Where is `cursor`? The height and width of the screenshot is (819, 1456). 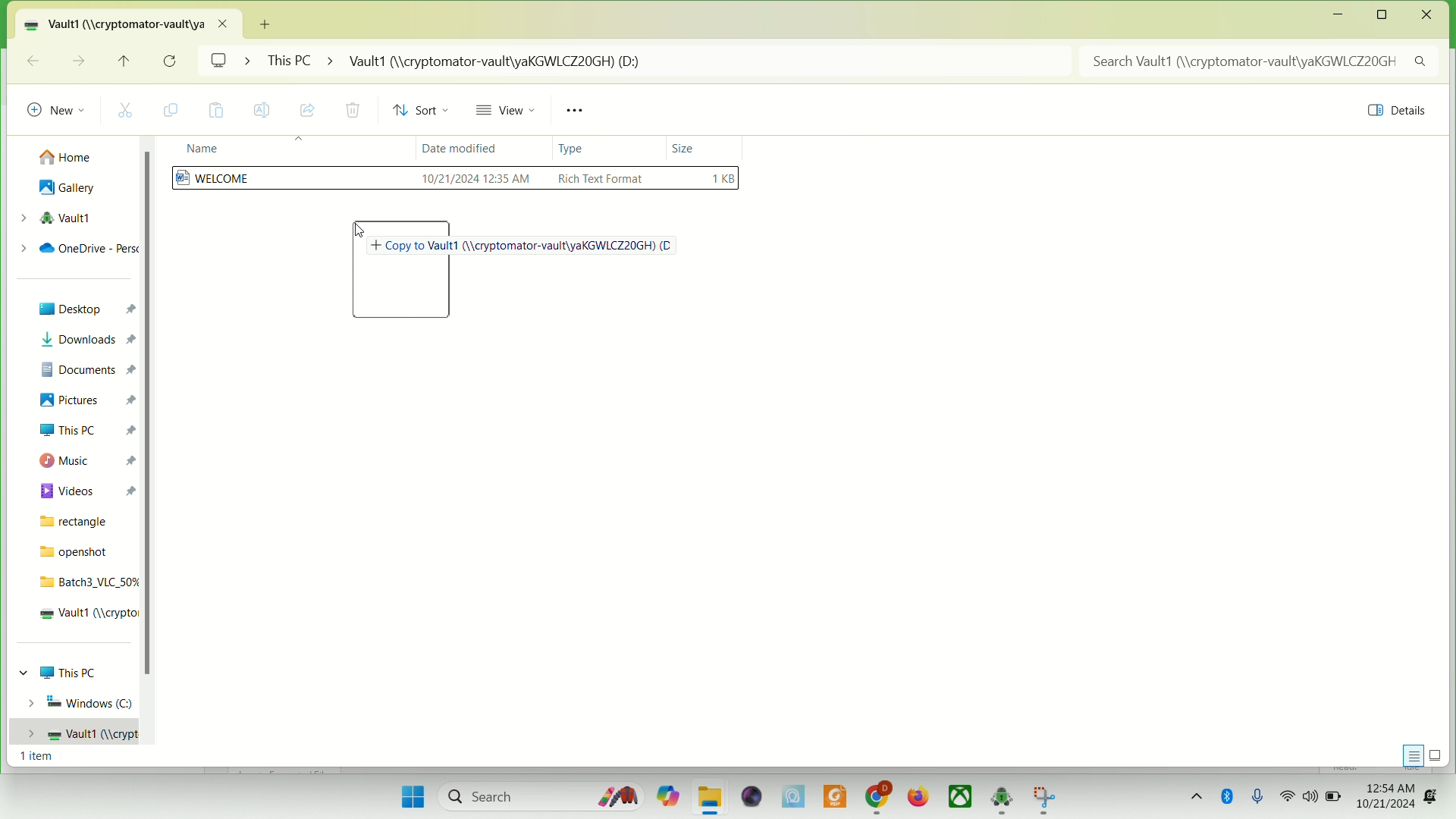 cursor is located at coordinates (357, 231).